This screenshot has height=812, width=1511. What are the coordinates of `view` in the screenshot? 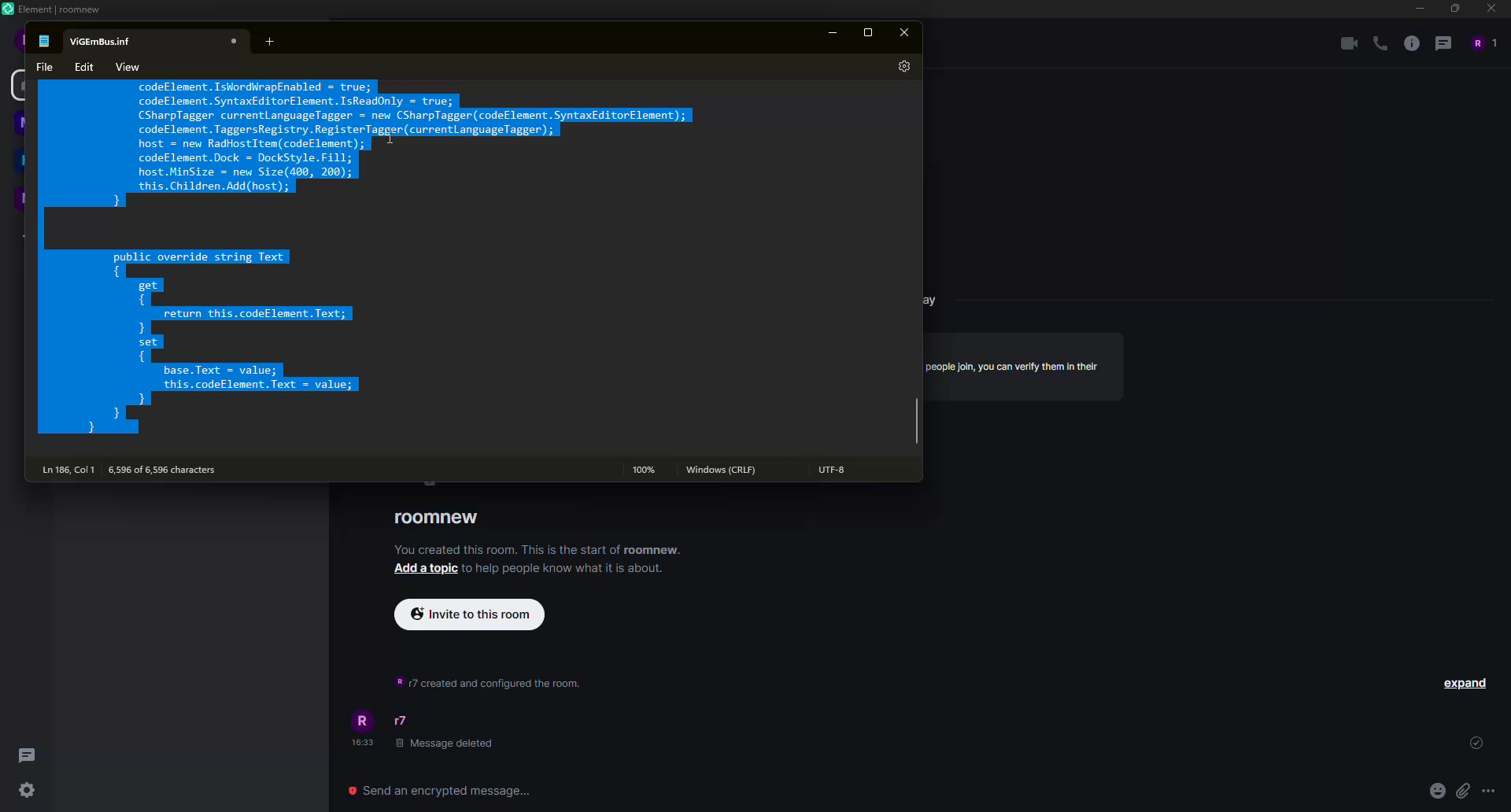 It's located at (129, 65).